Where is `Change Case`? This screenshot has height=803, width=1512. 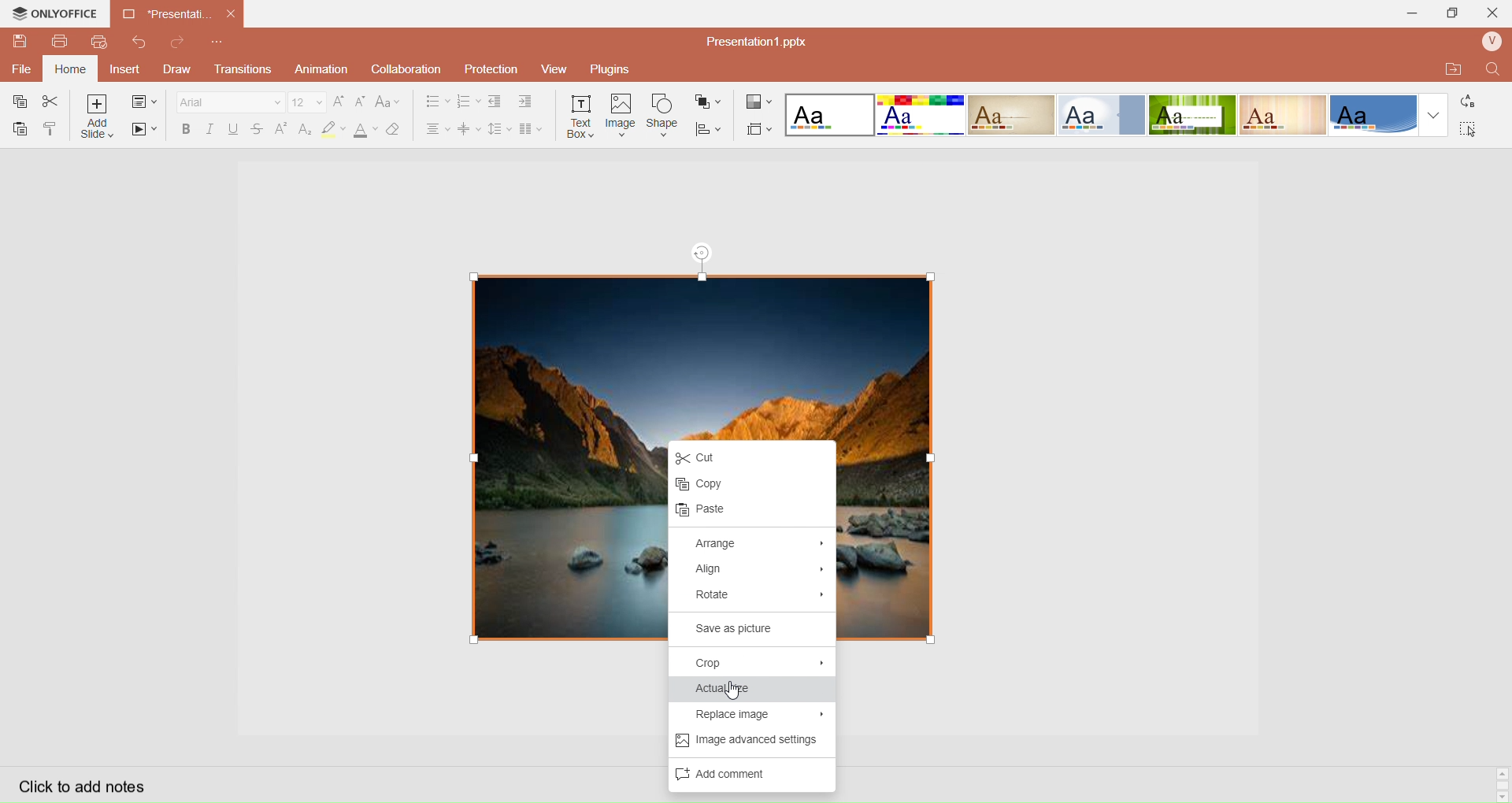
Change Case is located at coordinates (391, 102).